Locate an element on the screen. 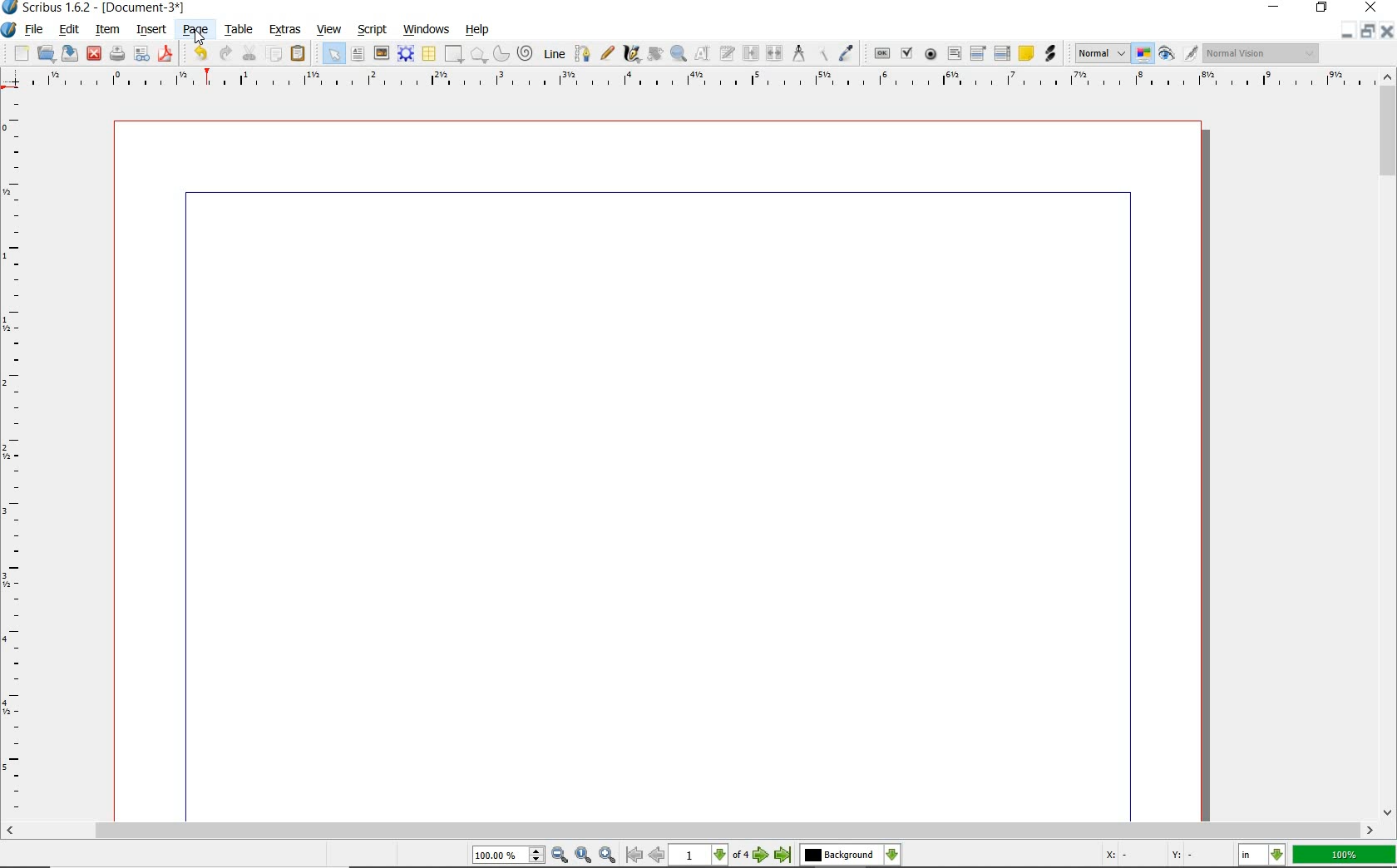  text annotation is located at coordinates (1024, 53).